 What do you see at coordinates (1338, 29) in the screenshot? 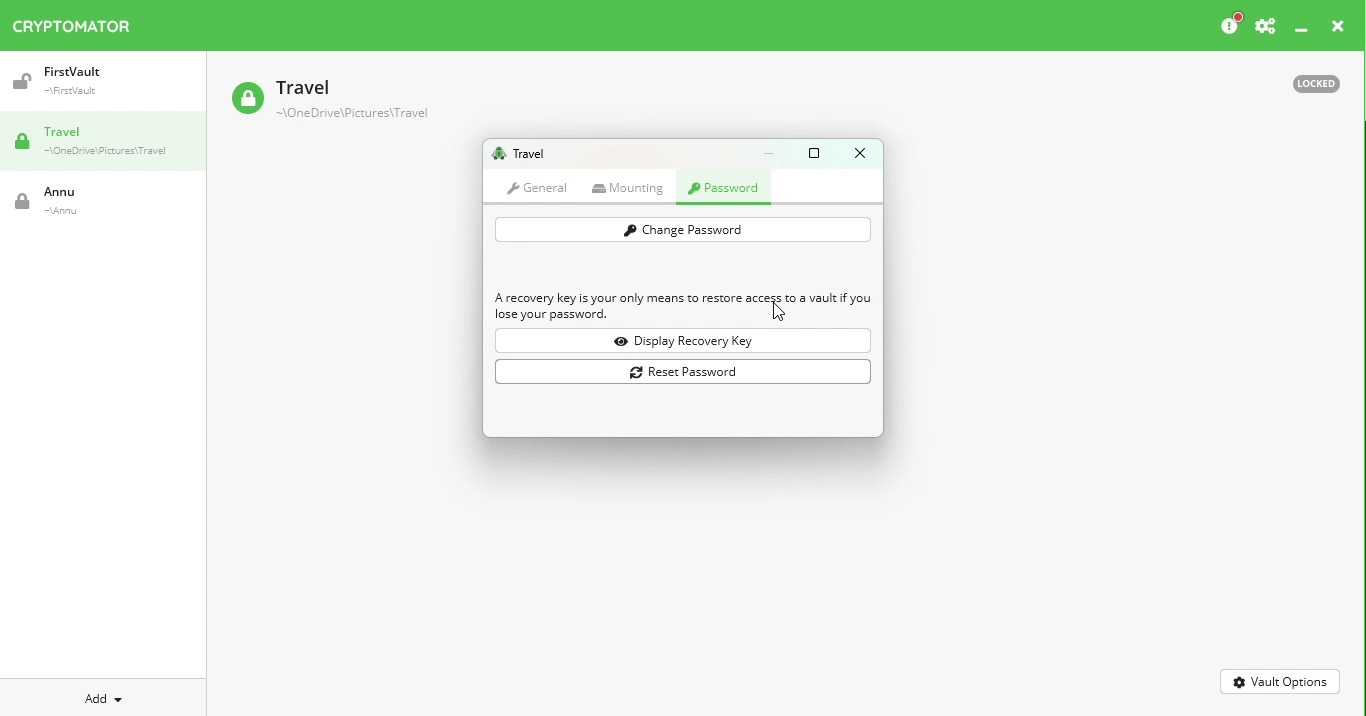
I see `Close` at bounding box center [1338, 29].